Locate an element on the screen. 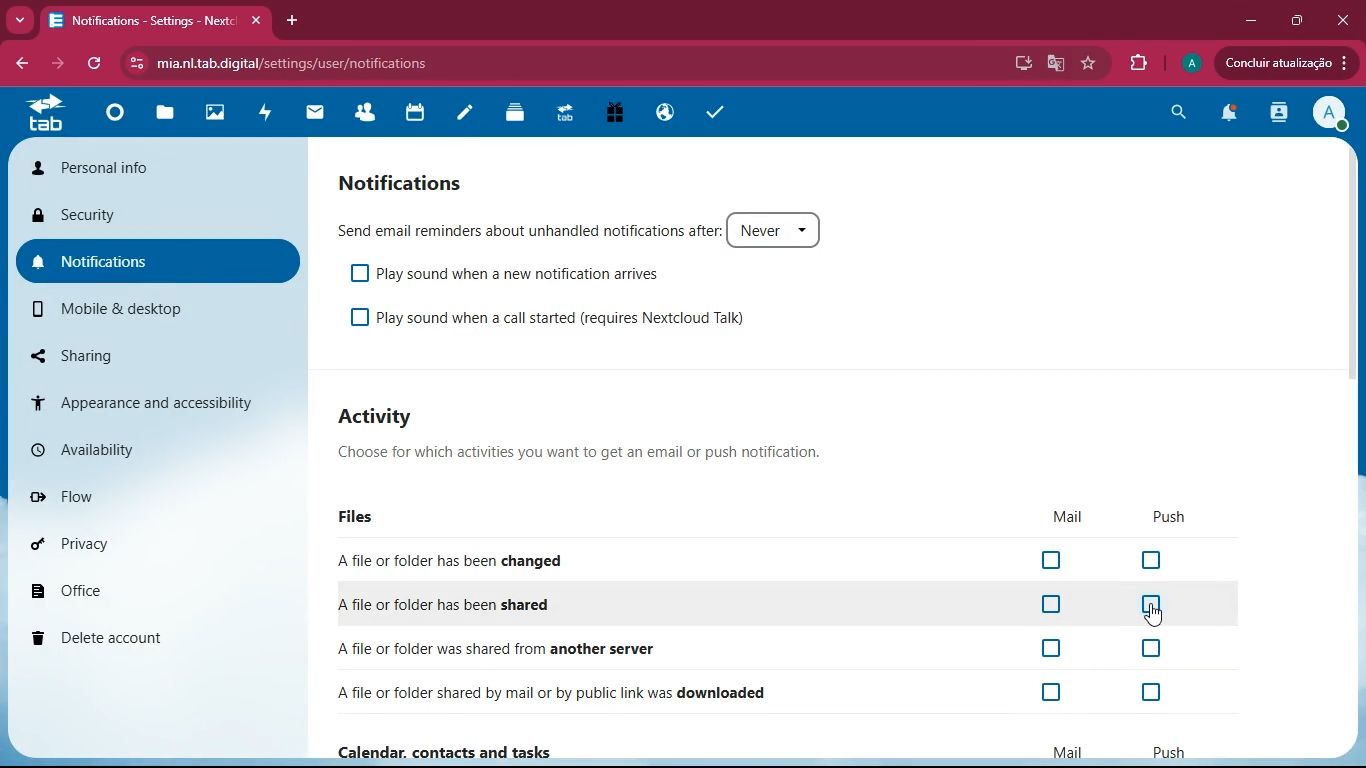 This screenshot has width=1366, height=768. flow is located at coordinates (102, 495).